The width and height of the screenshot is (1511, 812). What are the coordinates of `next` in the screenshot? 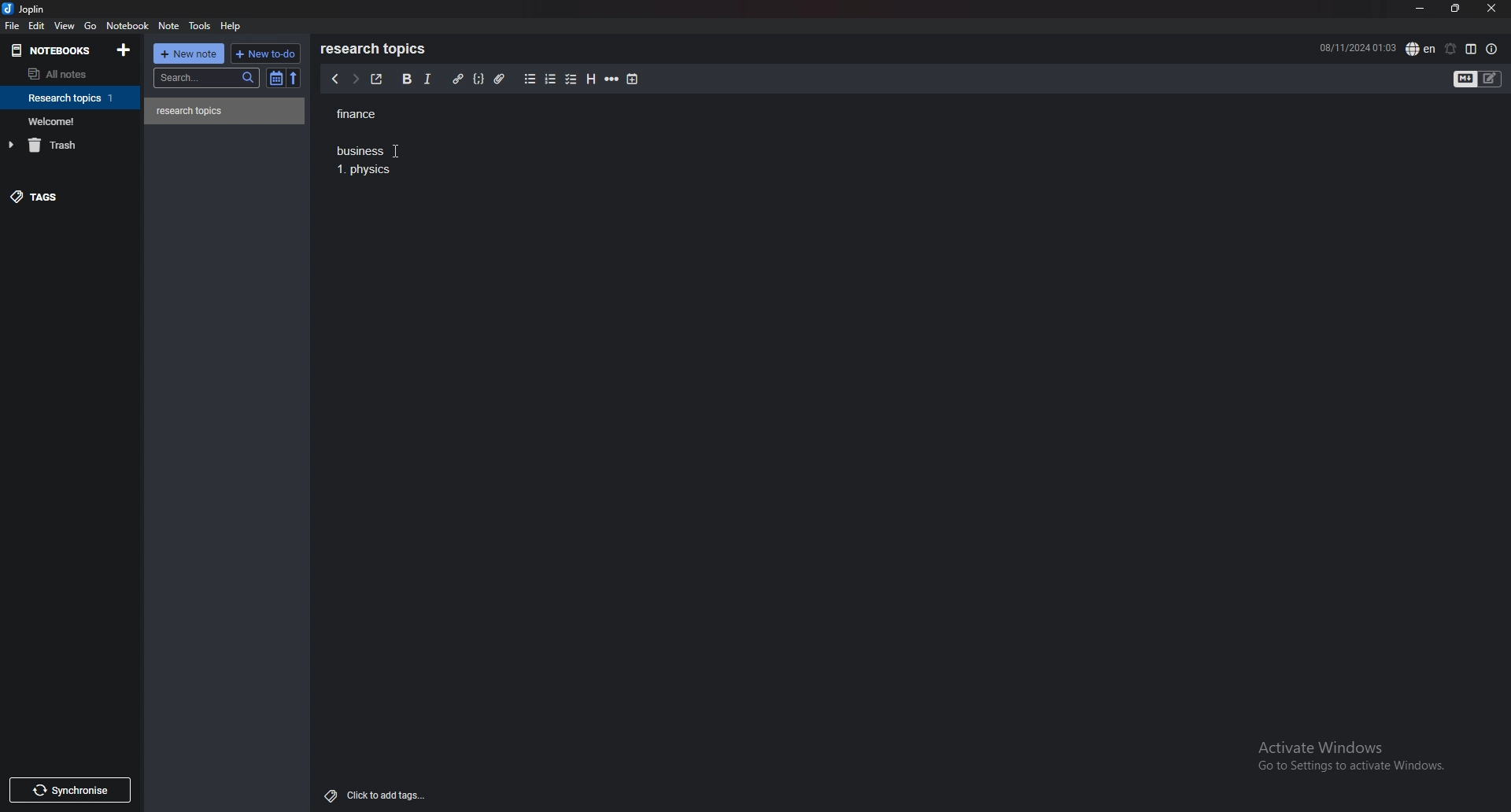 It's located at (353, 80).